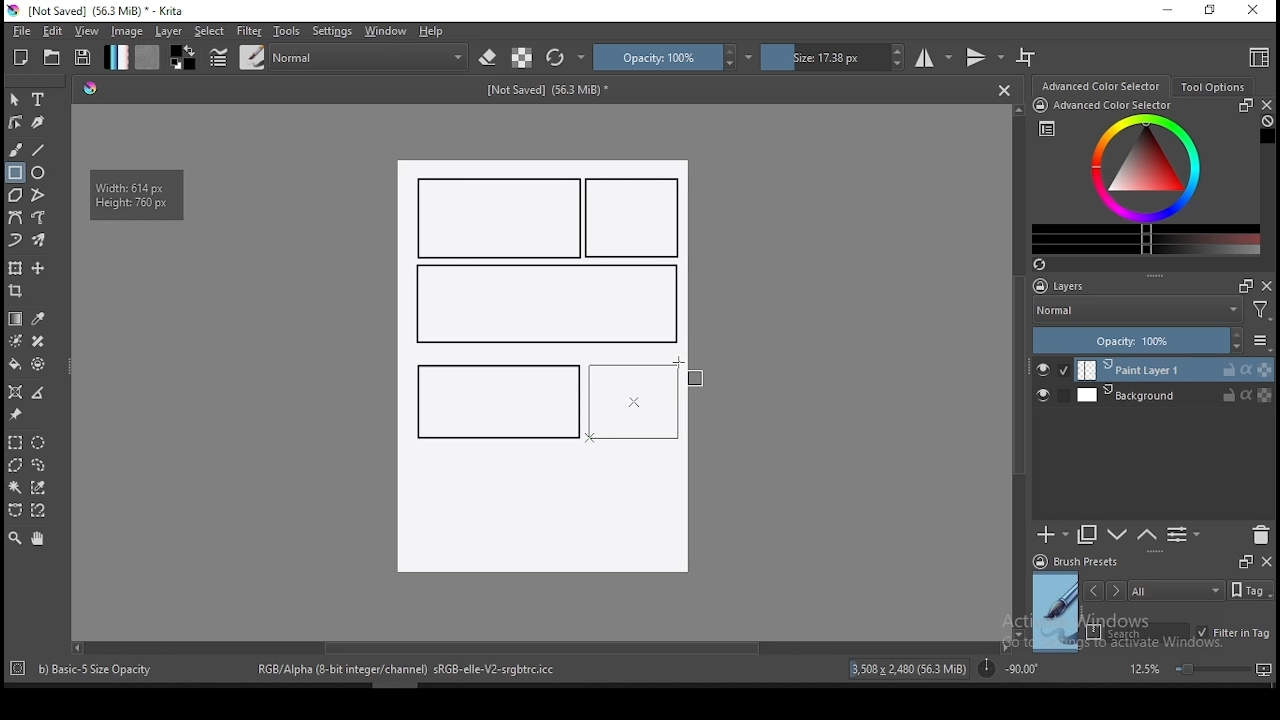  Describe the element at coordinates (985, 55) in the screenshot. I see `` at that location.